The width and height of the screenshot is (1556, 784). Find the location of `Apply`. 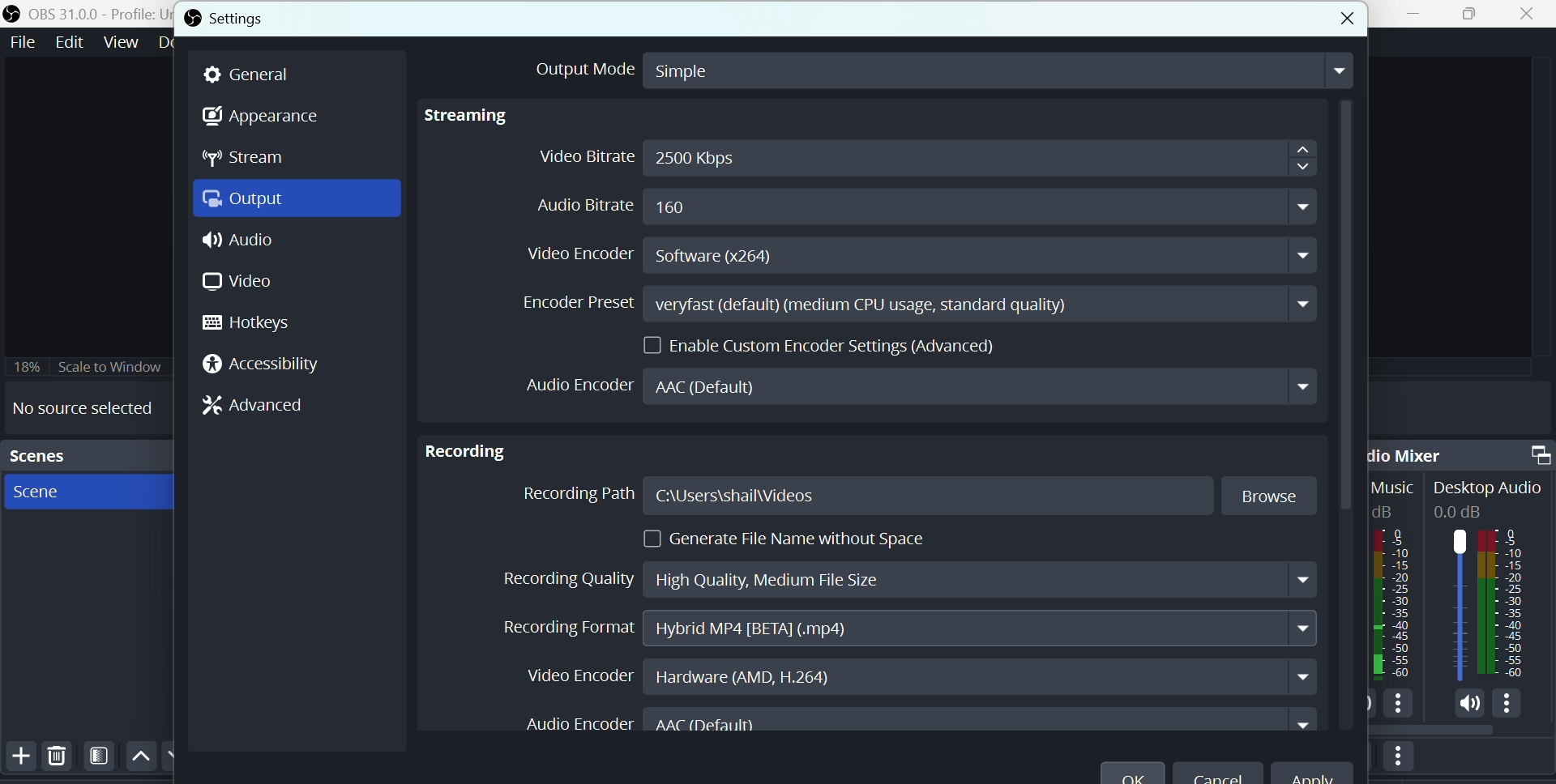

Apply is located at coordinates (1310, 769).